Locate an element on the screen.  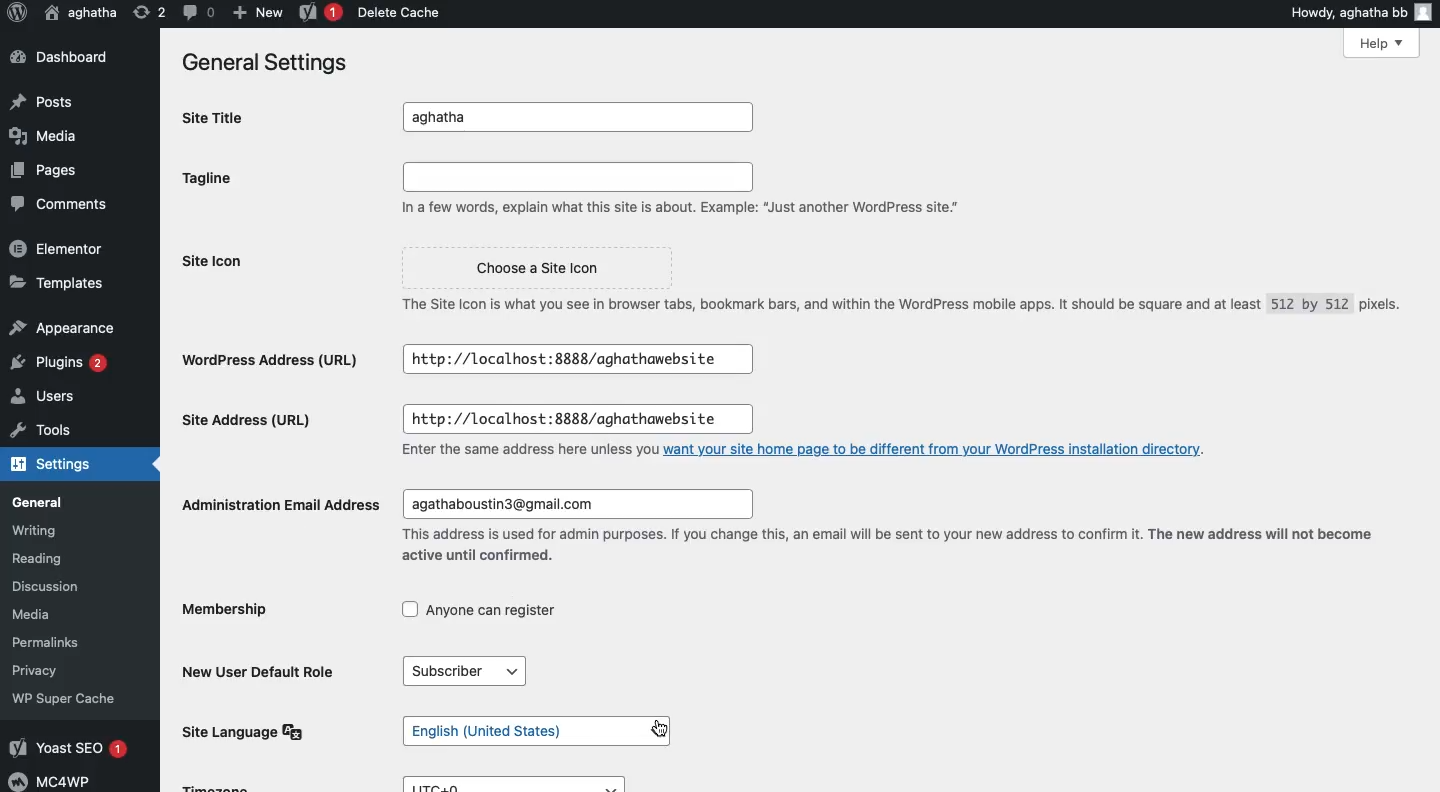
This address is used for admin purposes. If you change this, an email will be sent to your new address to confirm it. The new address will not become active until confirmed. is located at coordinates (888, 545).